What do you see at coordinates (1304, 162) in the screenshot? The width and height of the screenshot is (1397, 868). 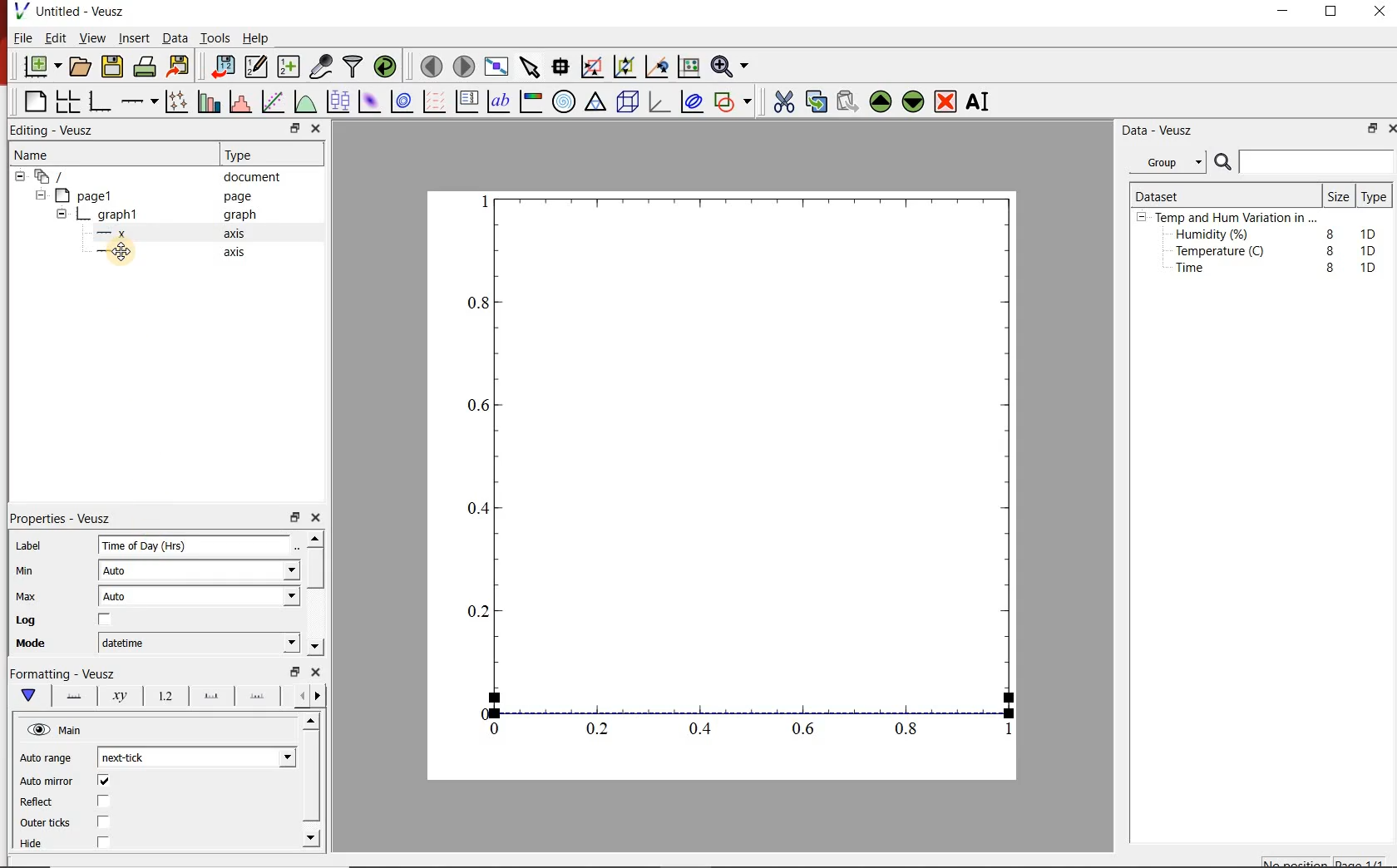 I see `Search bar` at bounding box center [1304, 162].